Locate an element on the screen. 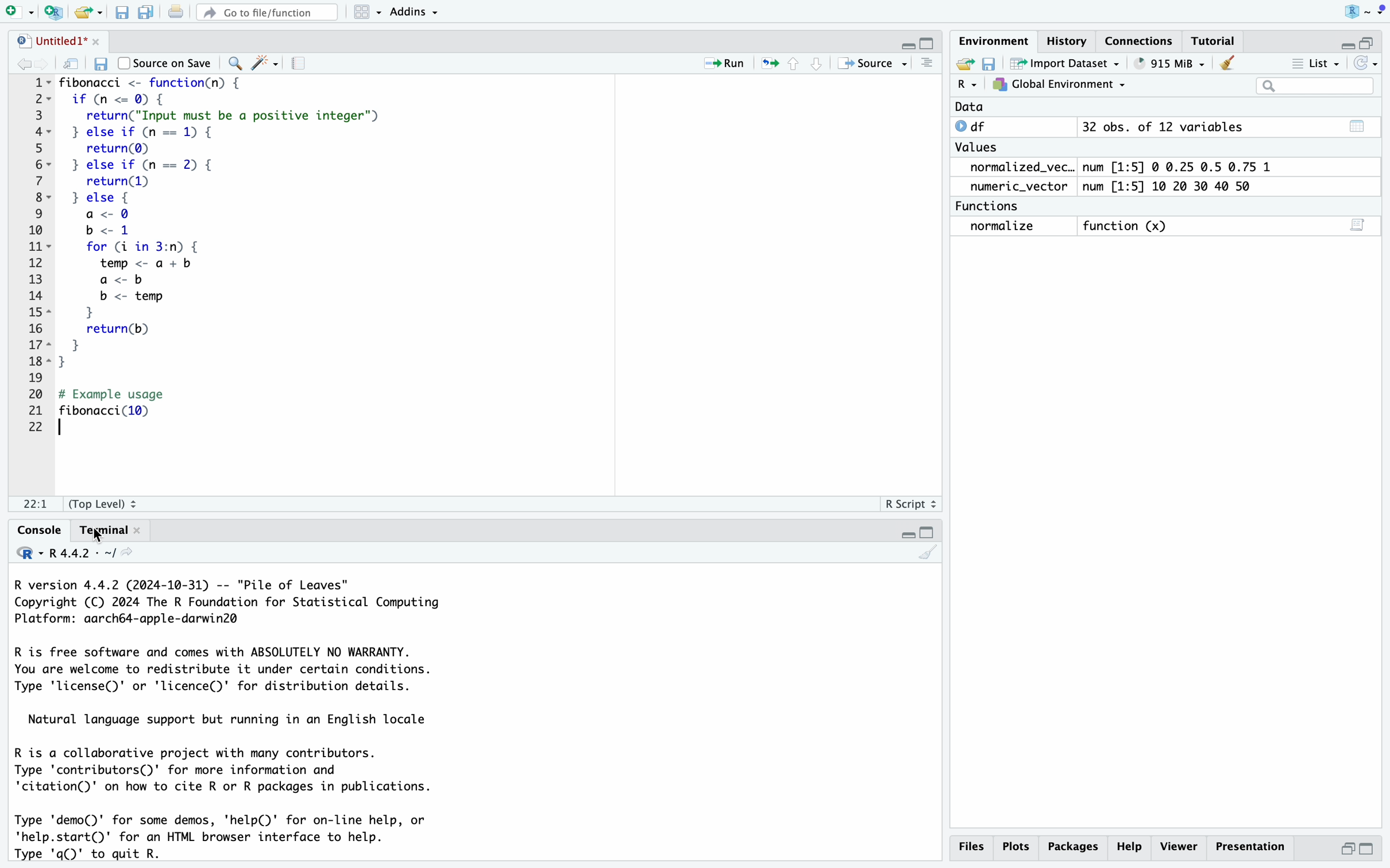 This screenshot has height=868, width=1390. minimize is located at coordinates (903, 530).